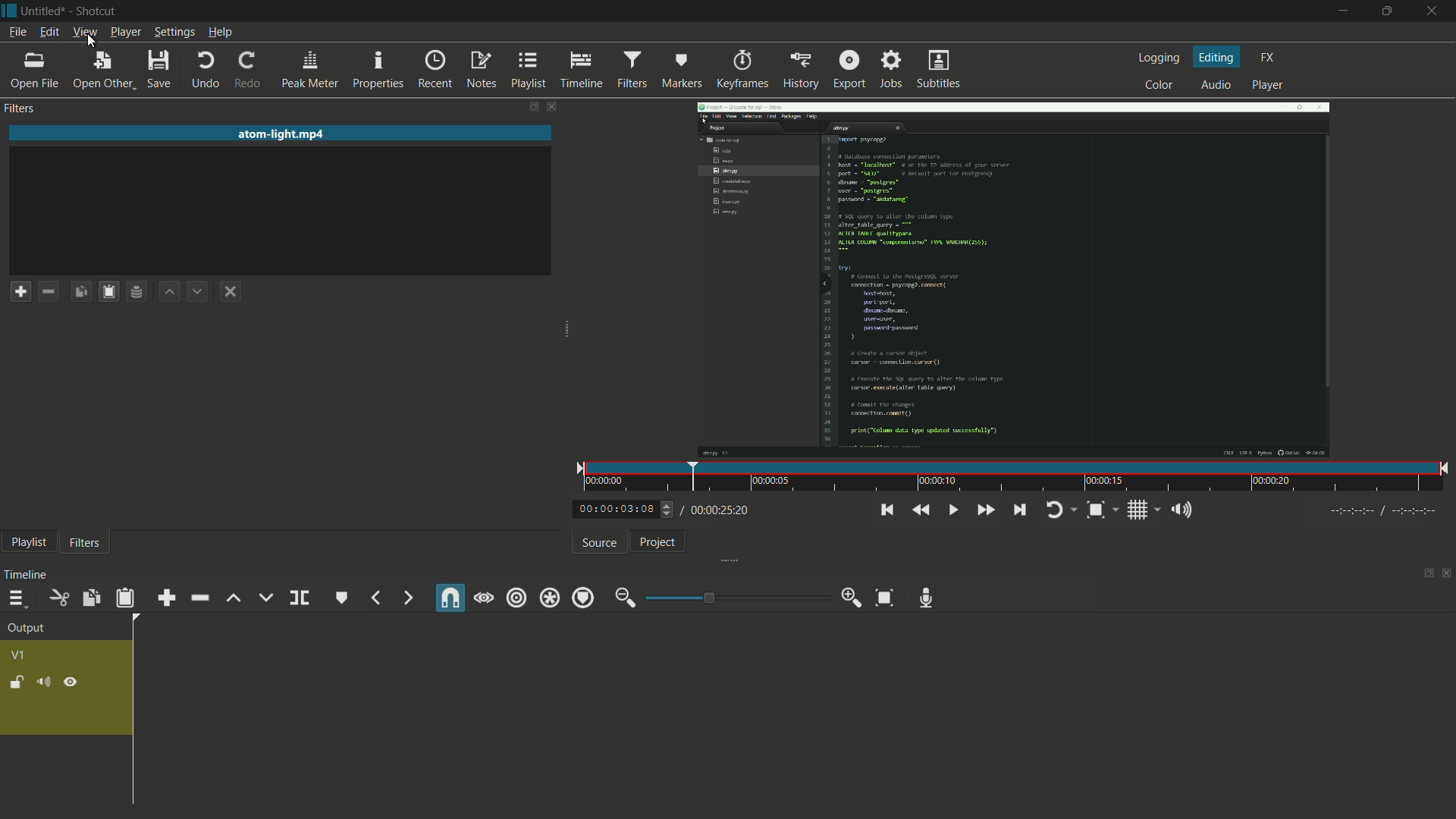 This screenshot has width=1456, height=819. I want to click on copy, so click(89, 598).